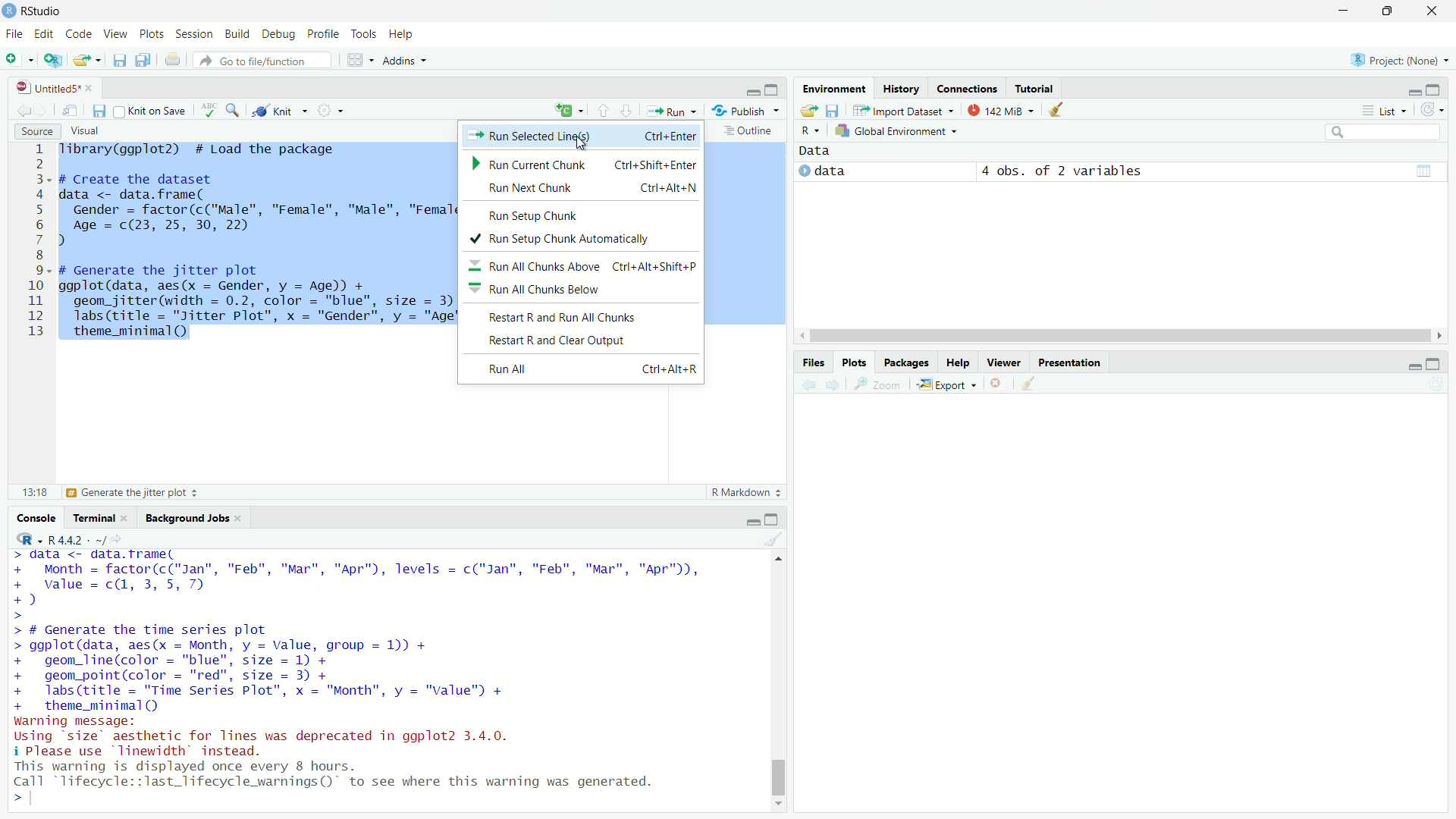 This screenshot has height=819, width=1456. Describe the element at coordinates (807, 384) in the screenshot. I see `previous plot` at that location.